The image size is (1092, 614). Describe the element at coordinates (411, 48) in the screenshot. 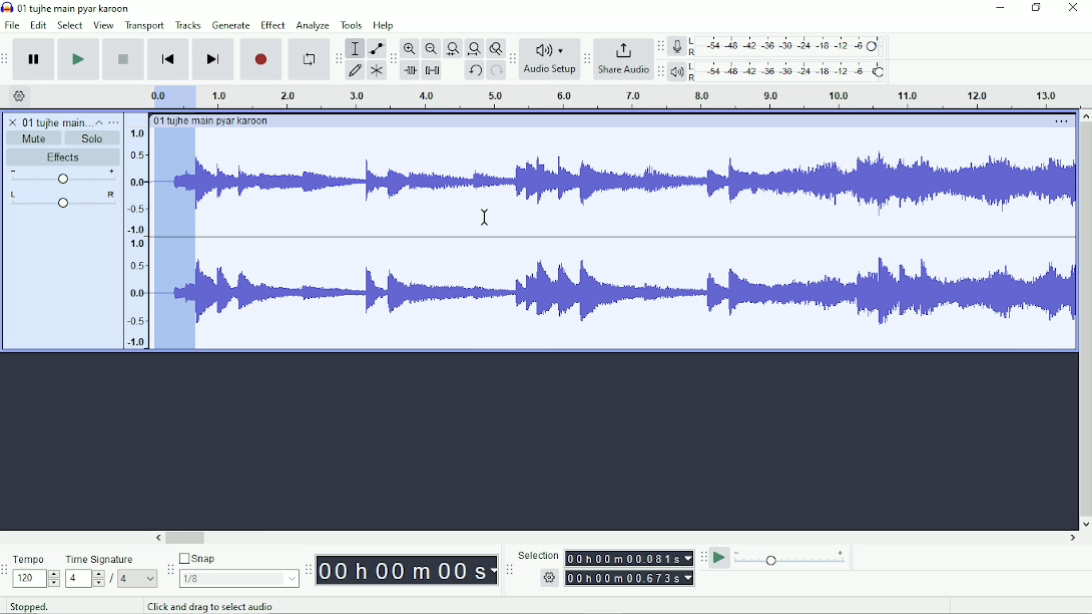

I see `Zoom In` at that location.